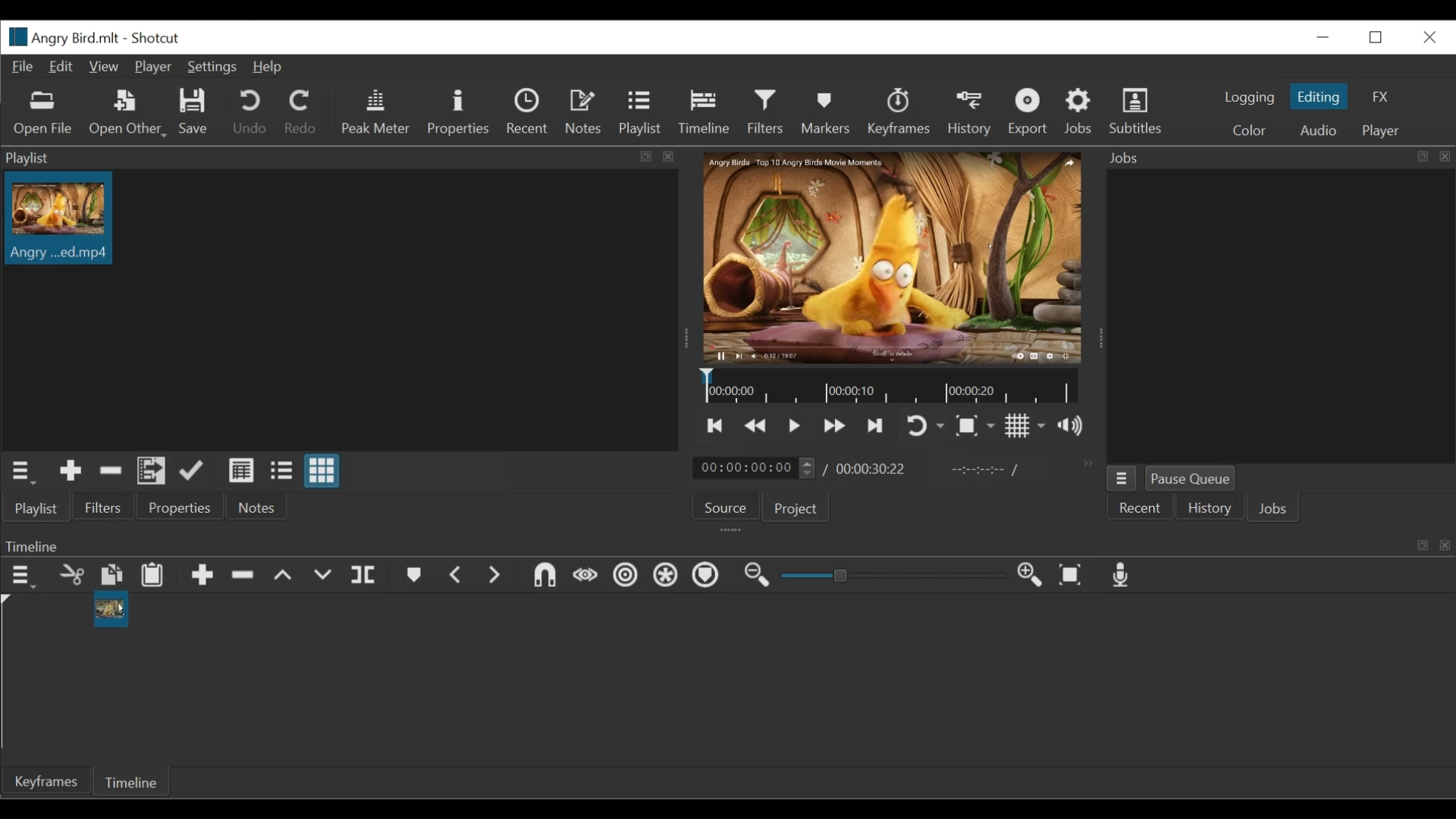  I want to click on Redo, so click(299, 111).